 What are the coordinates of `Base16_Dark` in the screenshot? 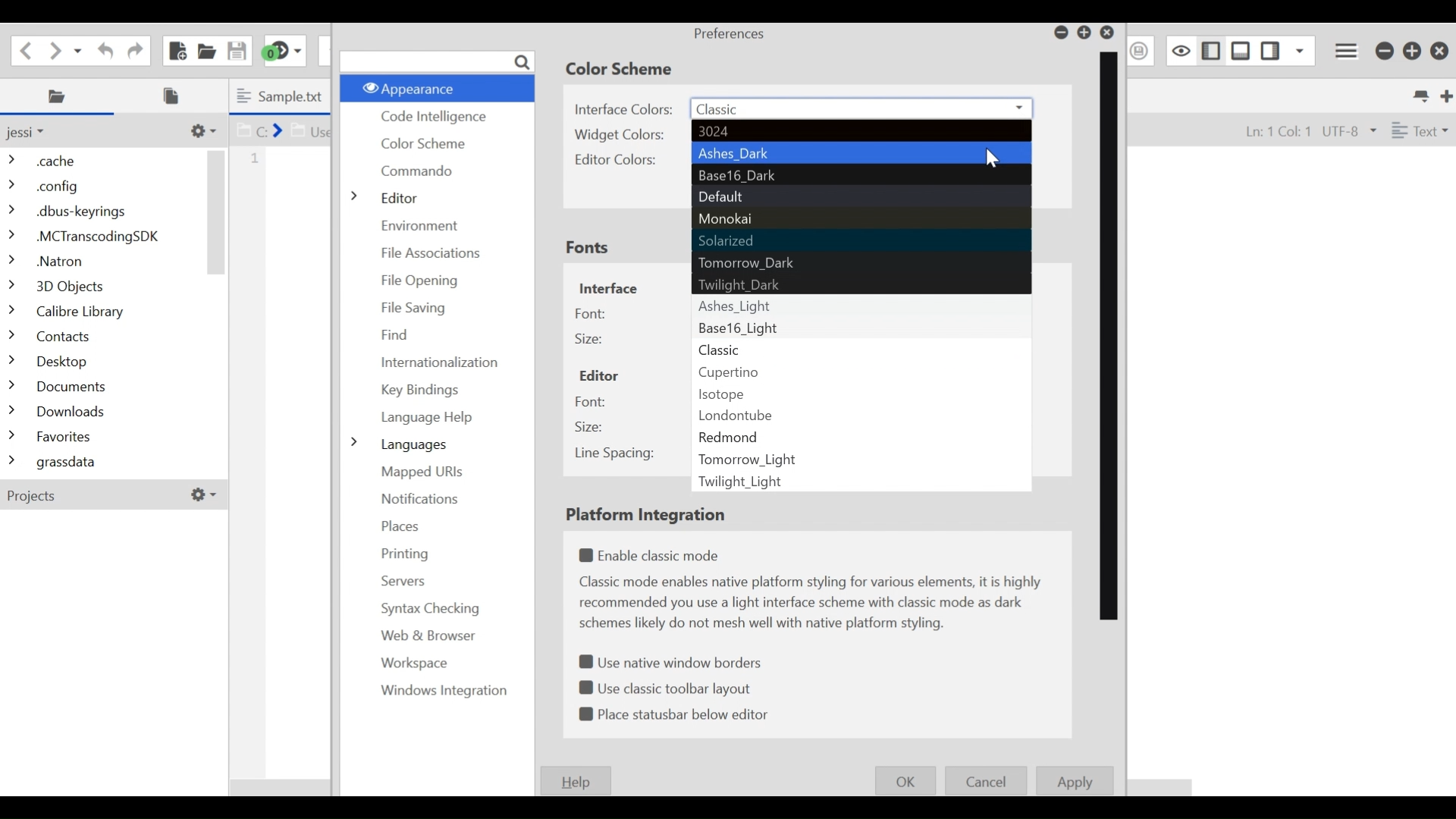 It's located at (860, 176).